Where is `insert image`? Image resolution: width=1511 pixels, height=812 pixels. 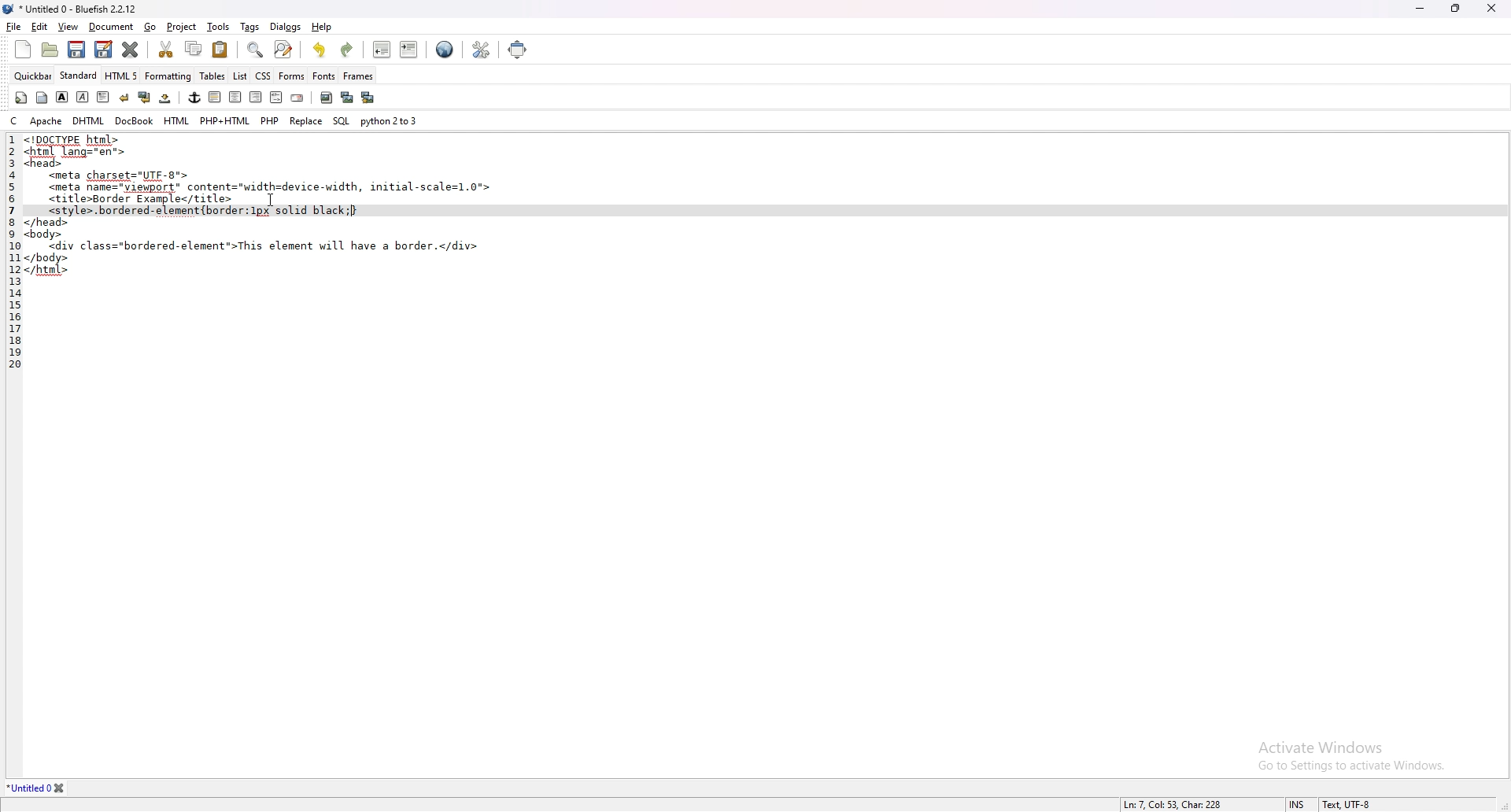 insert image is located at coordinates (327, 98).